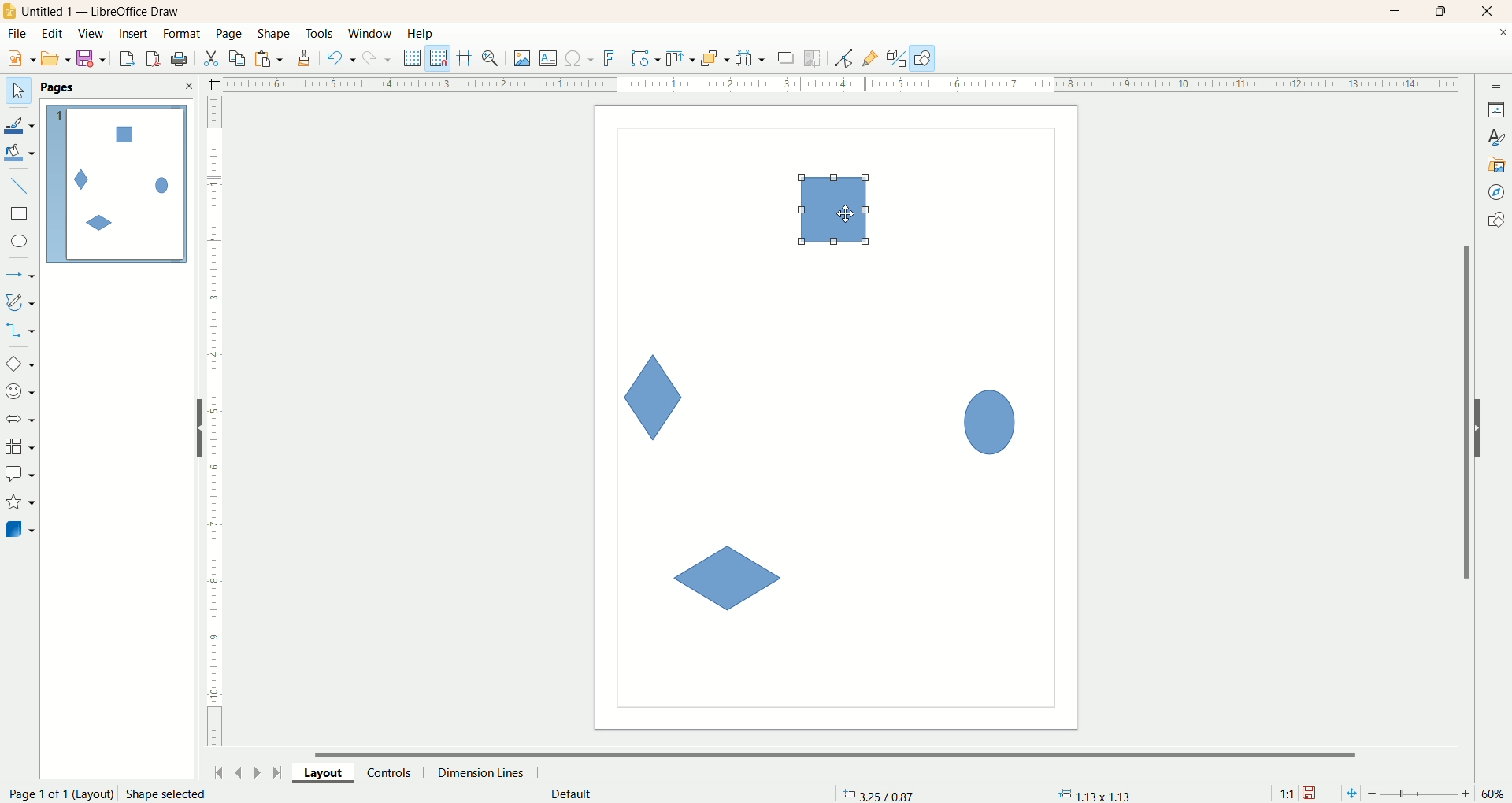 Image resolution: width=1512 pixels, height=803 pixels. What do you see at coordinates (18, 59) in the screenshot?
I see `new` at bounding box center [18, 59].